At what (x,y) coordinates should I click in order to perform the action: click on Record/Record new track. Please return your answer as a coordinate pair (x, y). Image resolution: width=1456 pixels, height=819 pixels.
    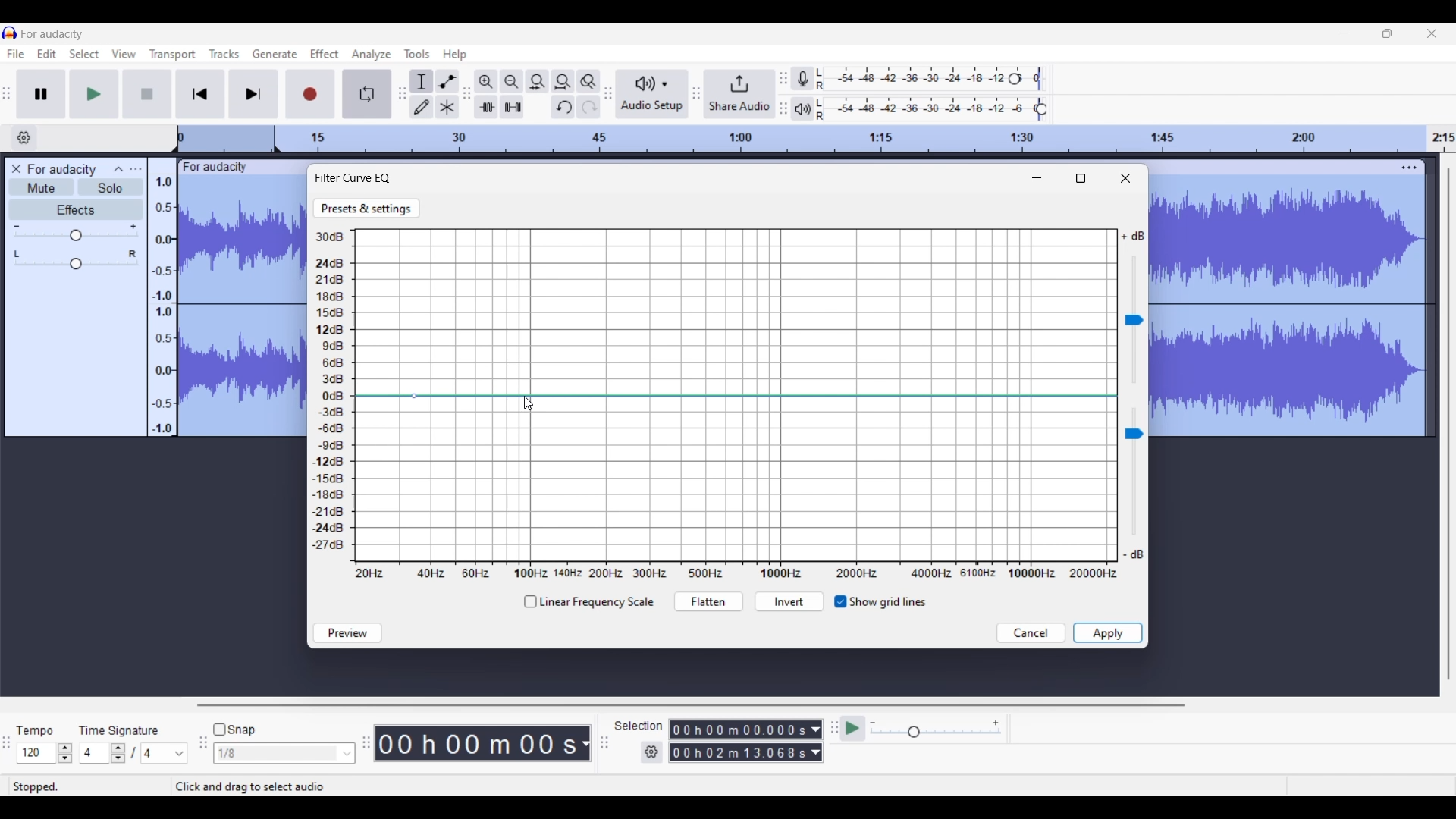
    Looking at the image, I should click on (315, 95).